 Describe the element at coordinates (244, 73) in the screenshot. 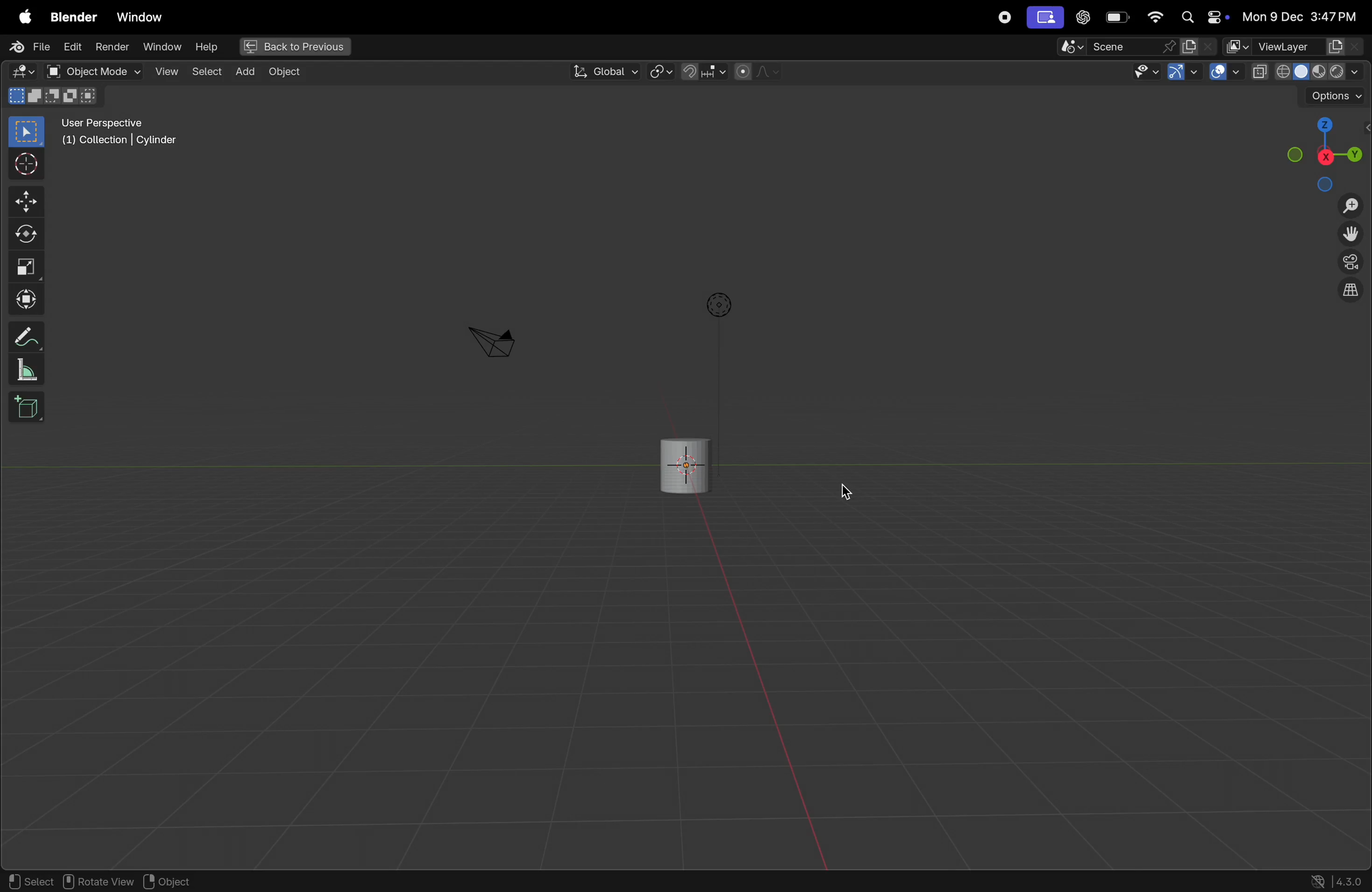

I see `add` at that location.